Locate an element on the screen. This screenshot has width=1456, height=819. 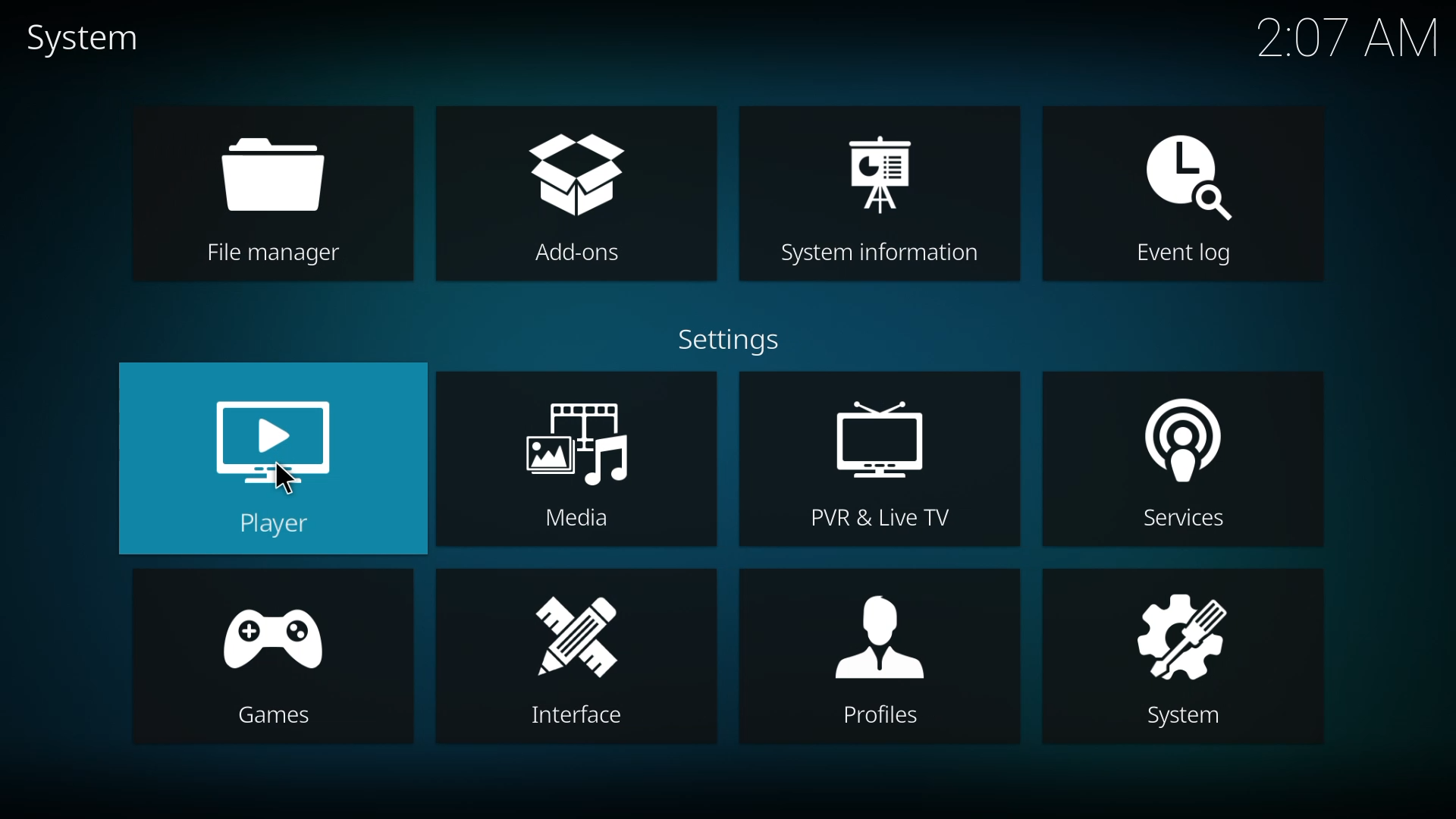
add-ons is located at coordinates (575, 196).